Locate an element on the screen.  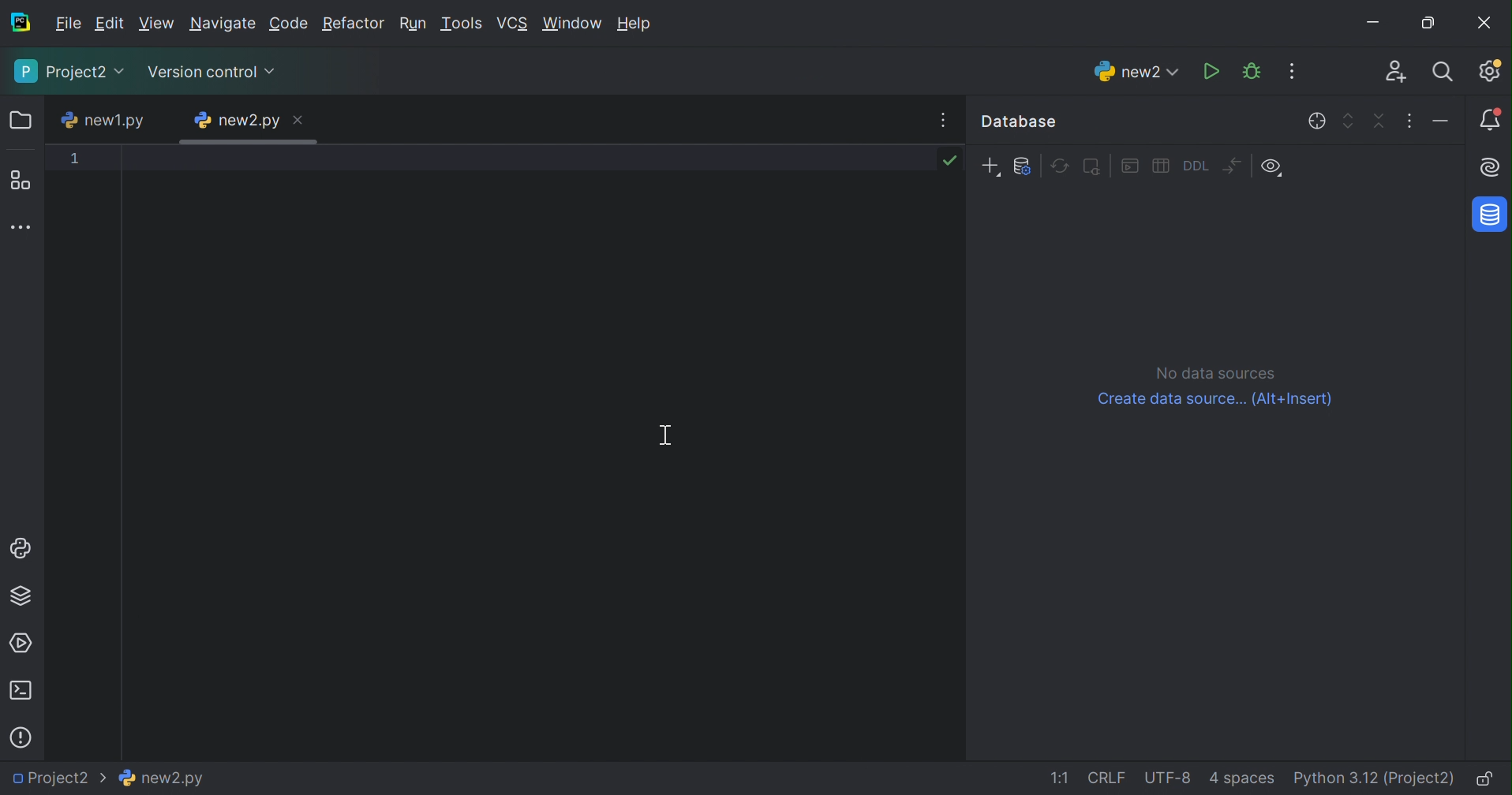
 is located at coordinates (22, 120).